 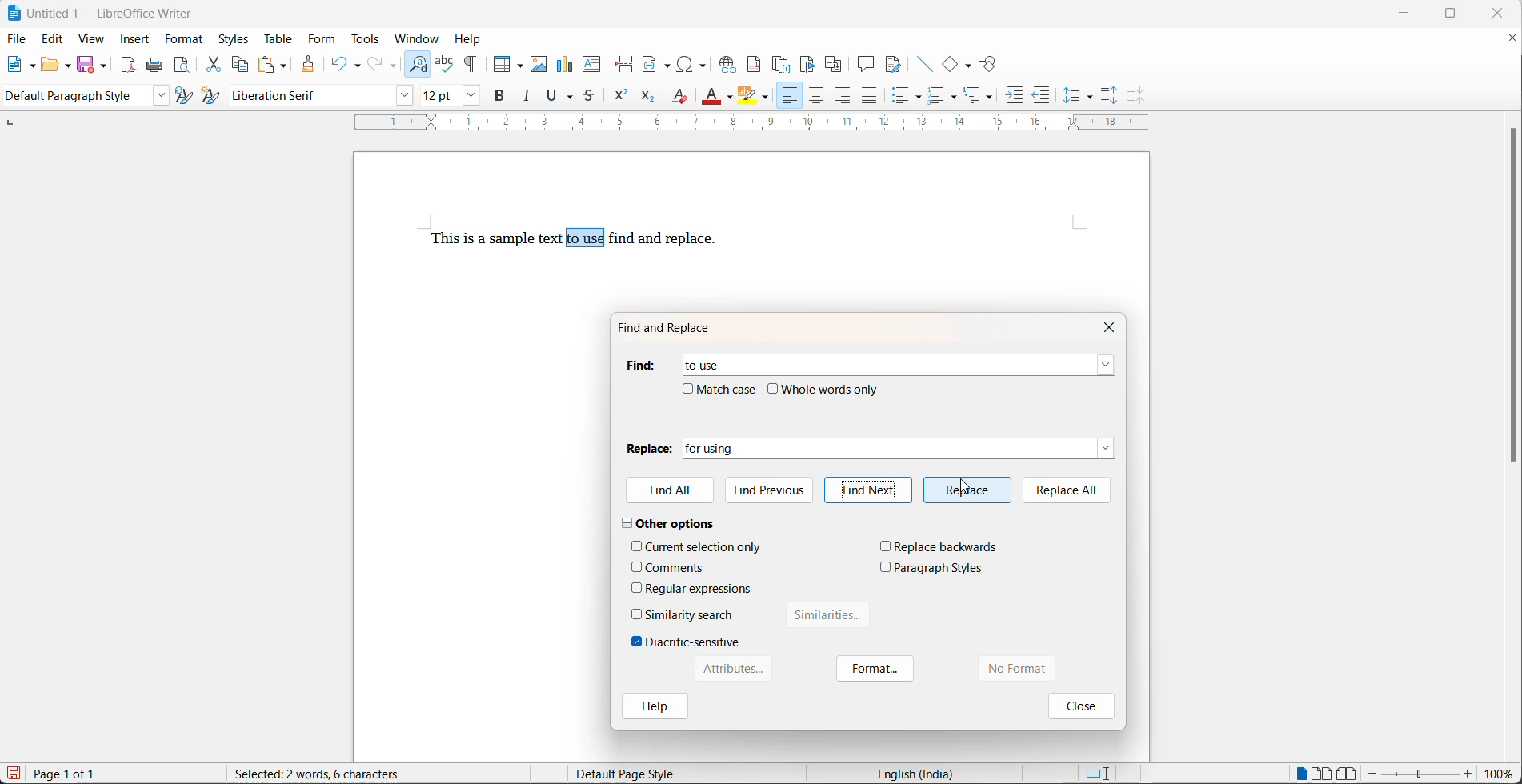 I want to click on comments, so click(x=675, y=568).